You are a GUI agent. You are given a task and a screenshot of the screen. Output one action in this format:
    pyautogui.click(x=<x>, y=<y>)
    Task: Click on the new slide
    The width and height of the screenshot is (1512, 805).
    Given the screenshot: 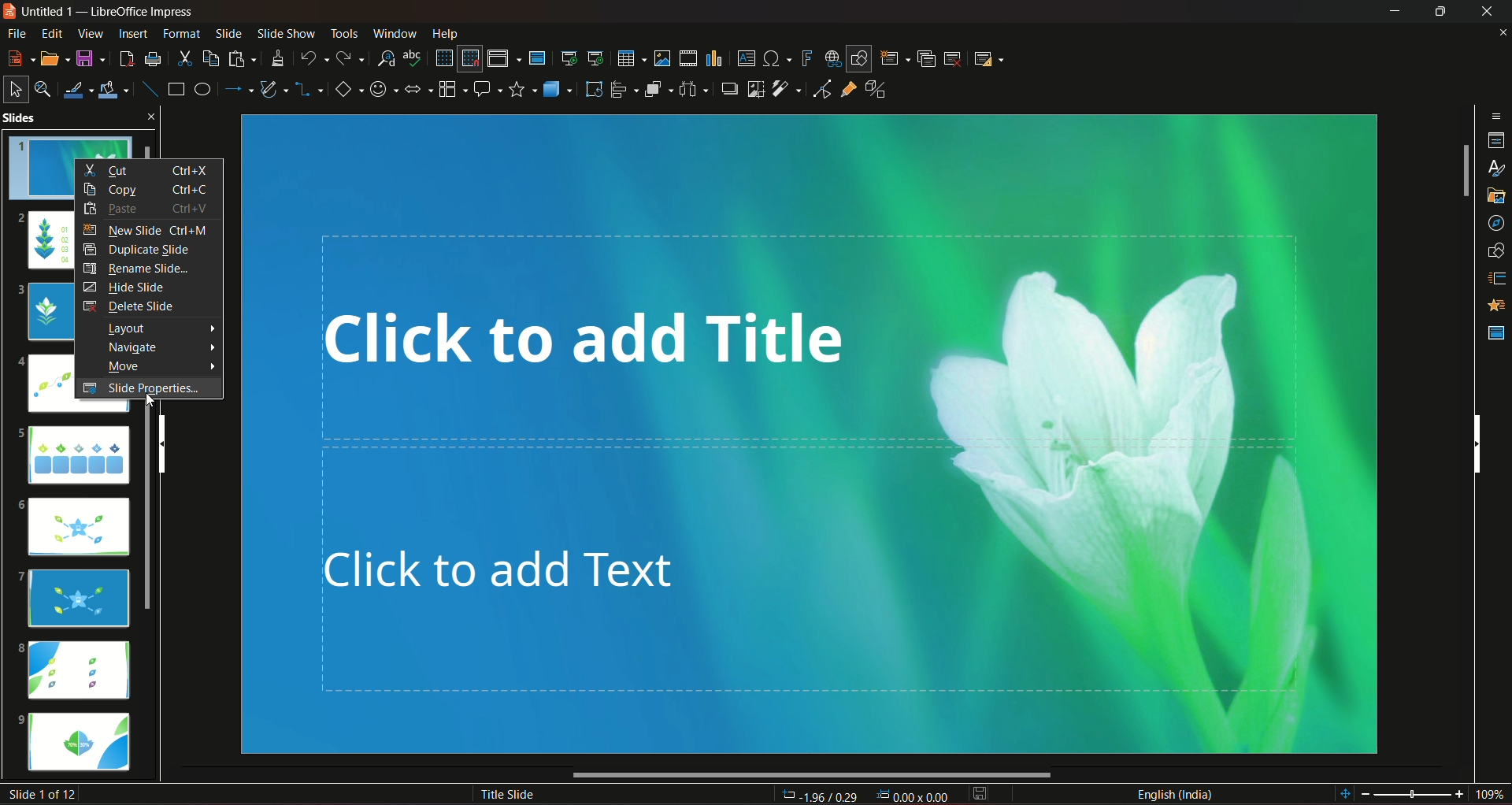 What is the action you would take?
    pyautogui.click(x=123, y=229)
    